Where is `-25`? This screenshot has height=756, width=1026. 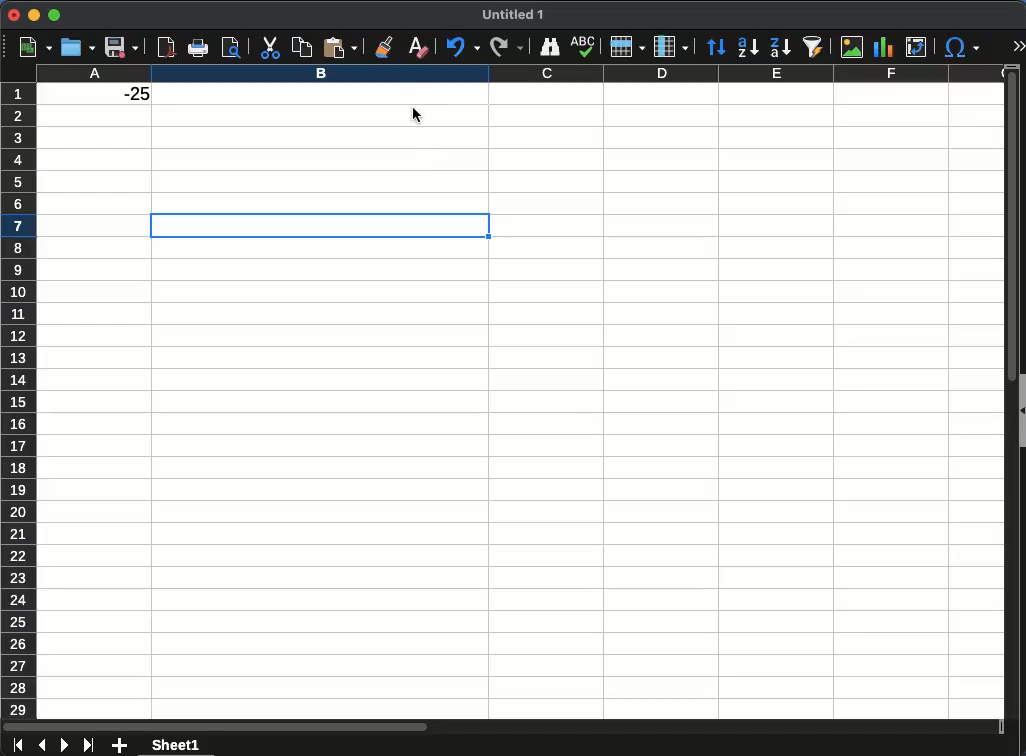 -25 is located at coordinates (127, 94).